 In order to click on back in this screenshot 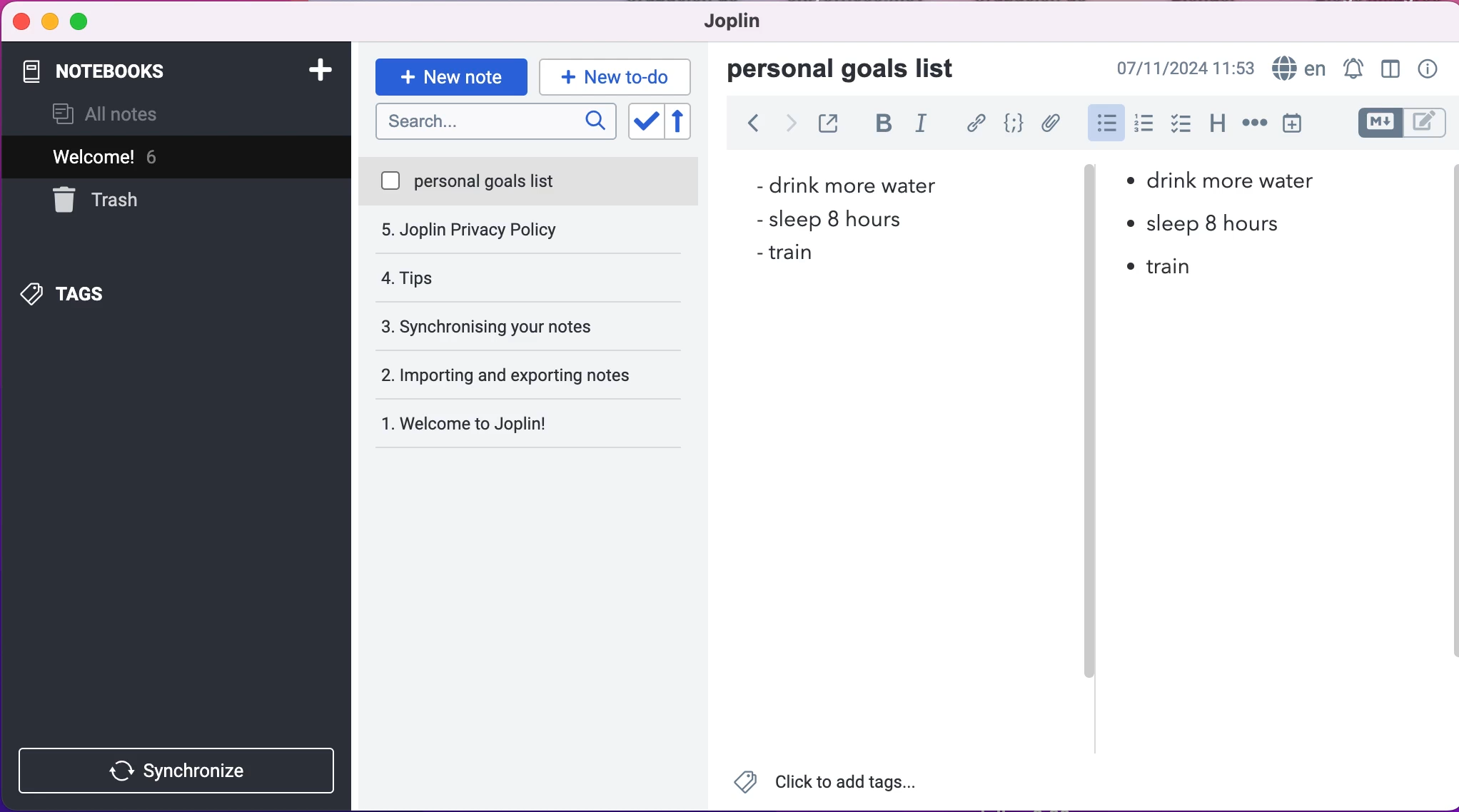, I will do `click(753, 126)`.